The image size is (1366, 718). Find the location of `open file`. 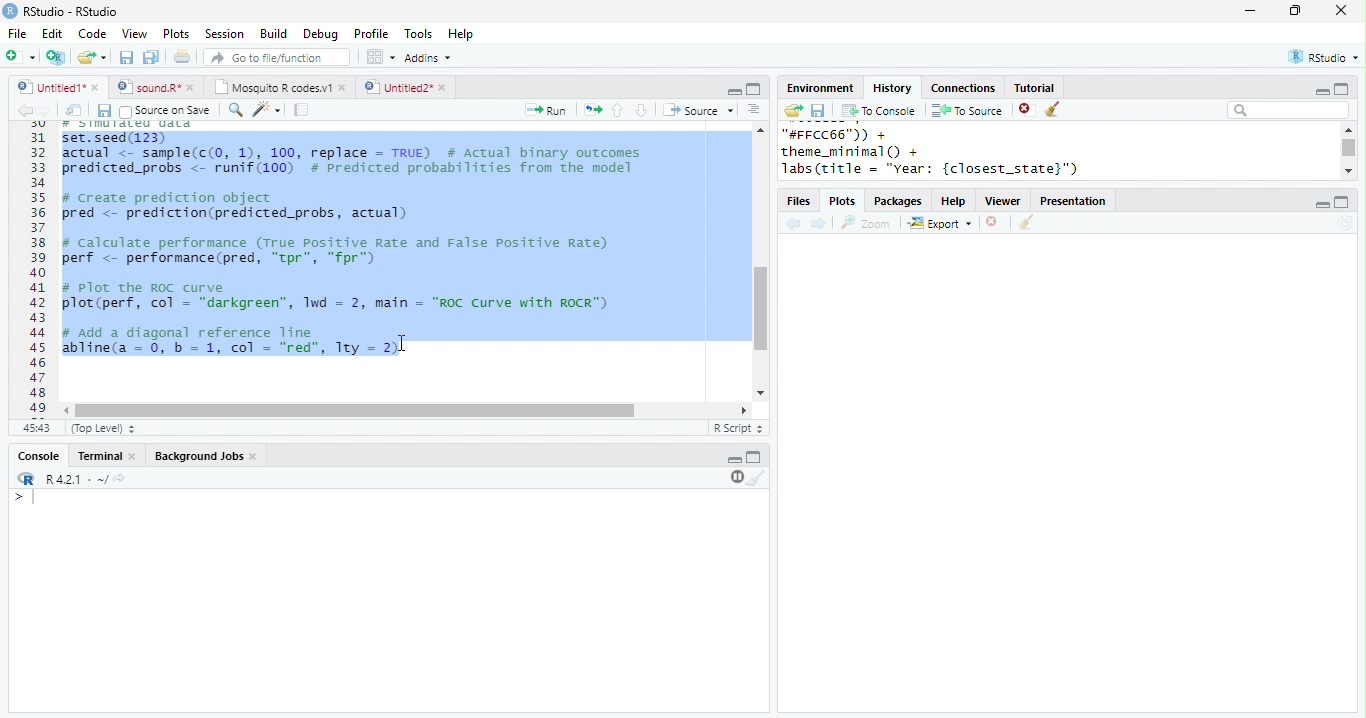

open file is located at coordinates (92, 57).